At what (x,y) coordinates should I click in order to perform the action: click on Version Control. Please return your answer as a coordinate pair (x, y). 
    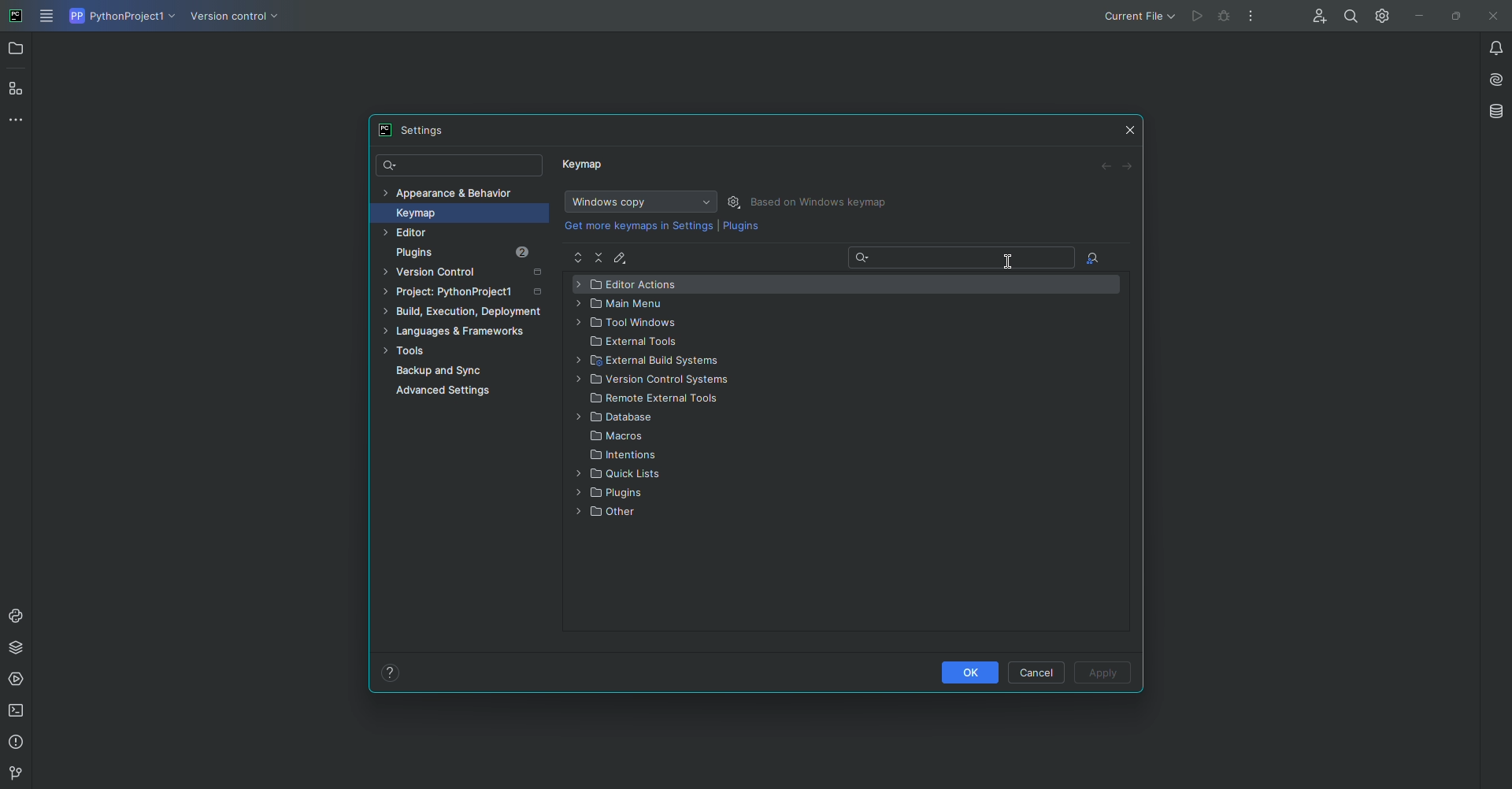
    Looking at the image, I should click on (658, 382).